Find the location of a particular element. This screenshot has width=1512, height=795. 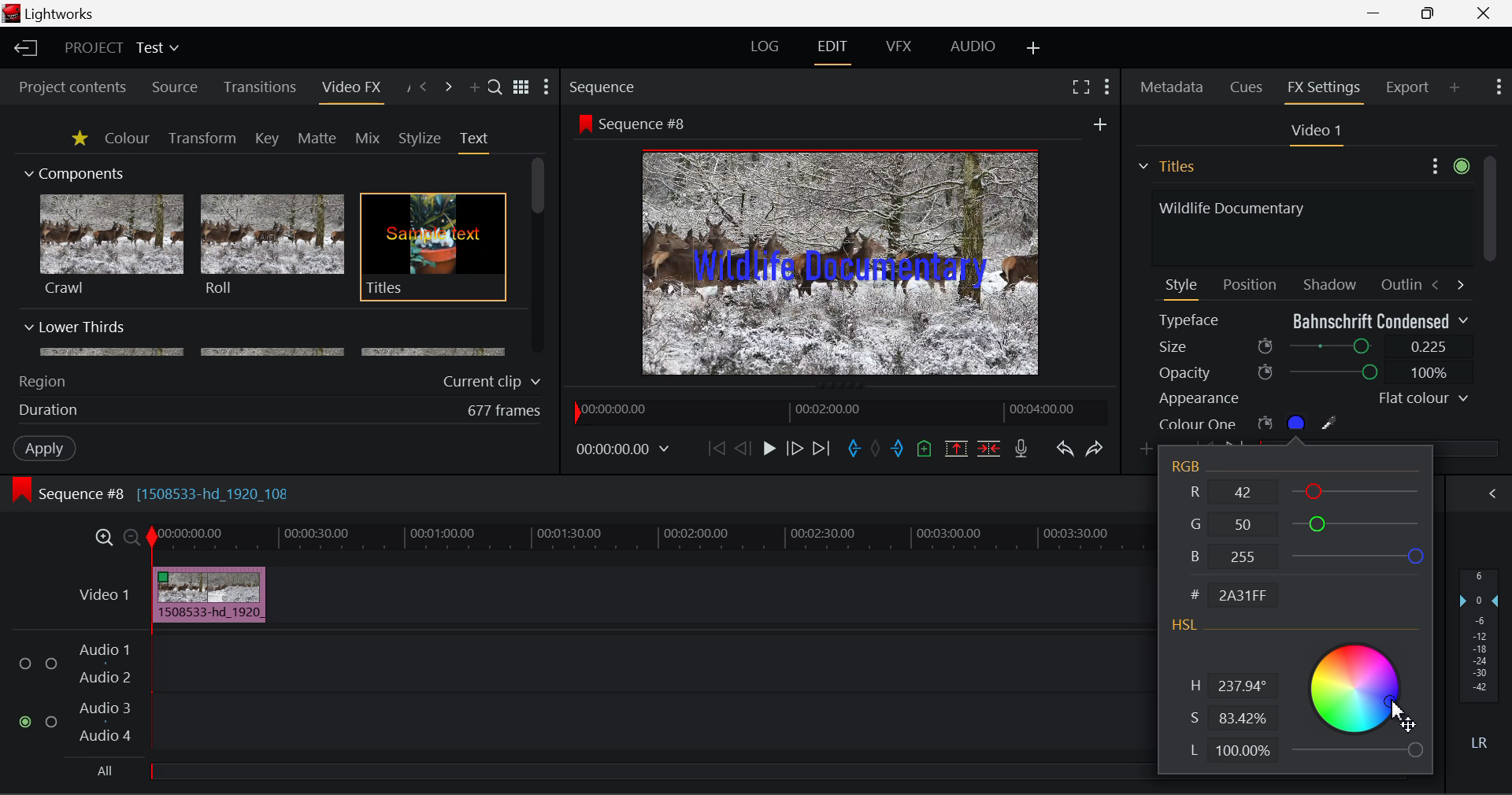

Frame Time is located at coordinates (624, 451).